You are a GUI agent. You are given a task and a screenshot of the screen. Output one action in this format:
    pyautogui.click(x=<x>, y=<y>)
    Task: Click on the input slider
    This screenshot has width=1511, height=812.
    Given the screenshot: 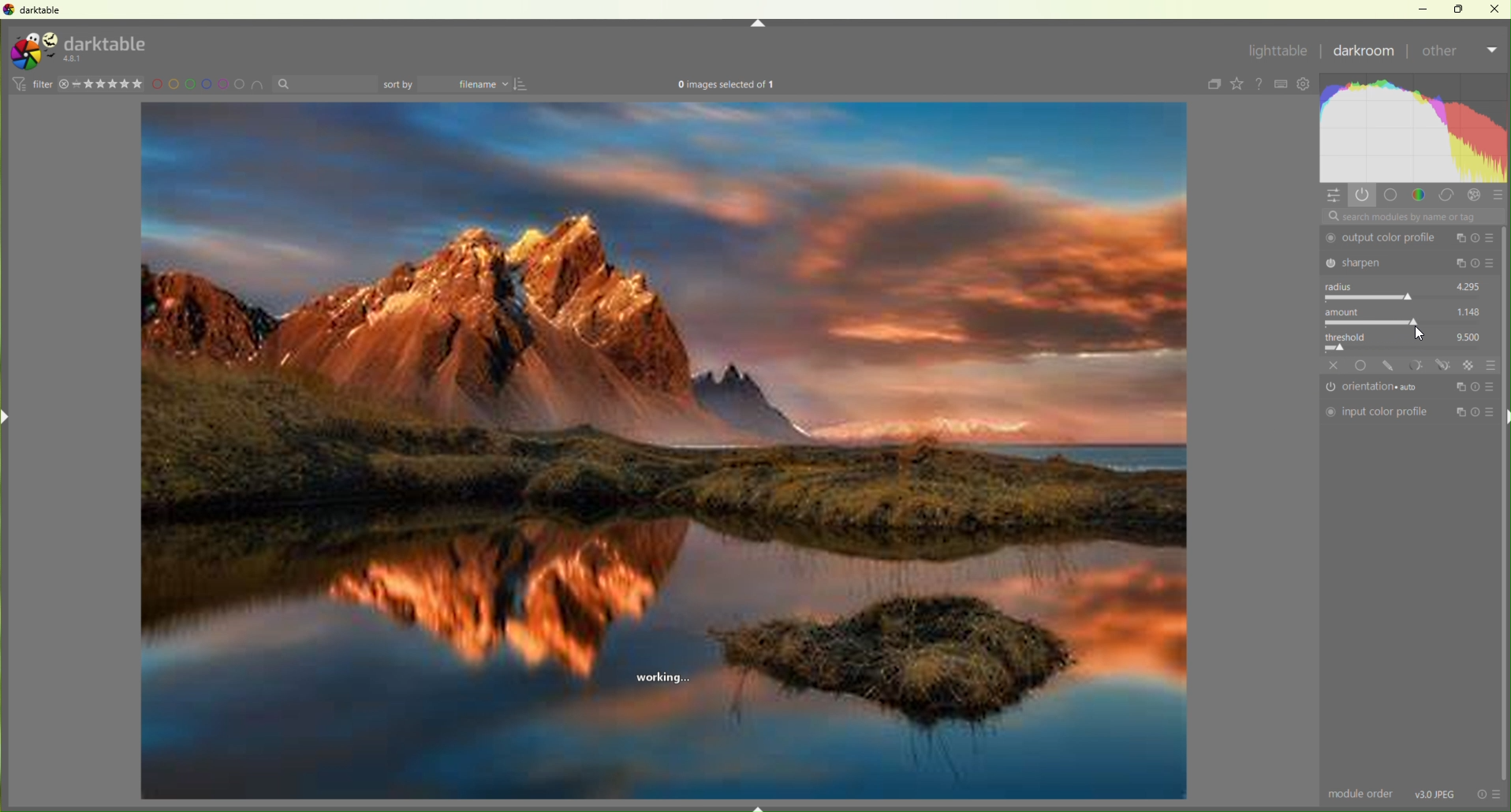 What is the action you would take?
    pyautogui.click(x=1406, y=297)
    